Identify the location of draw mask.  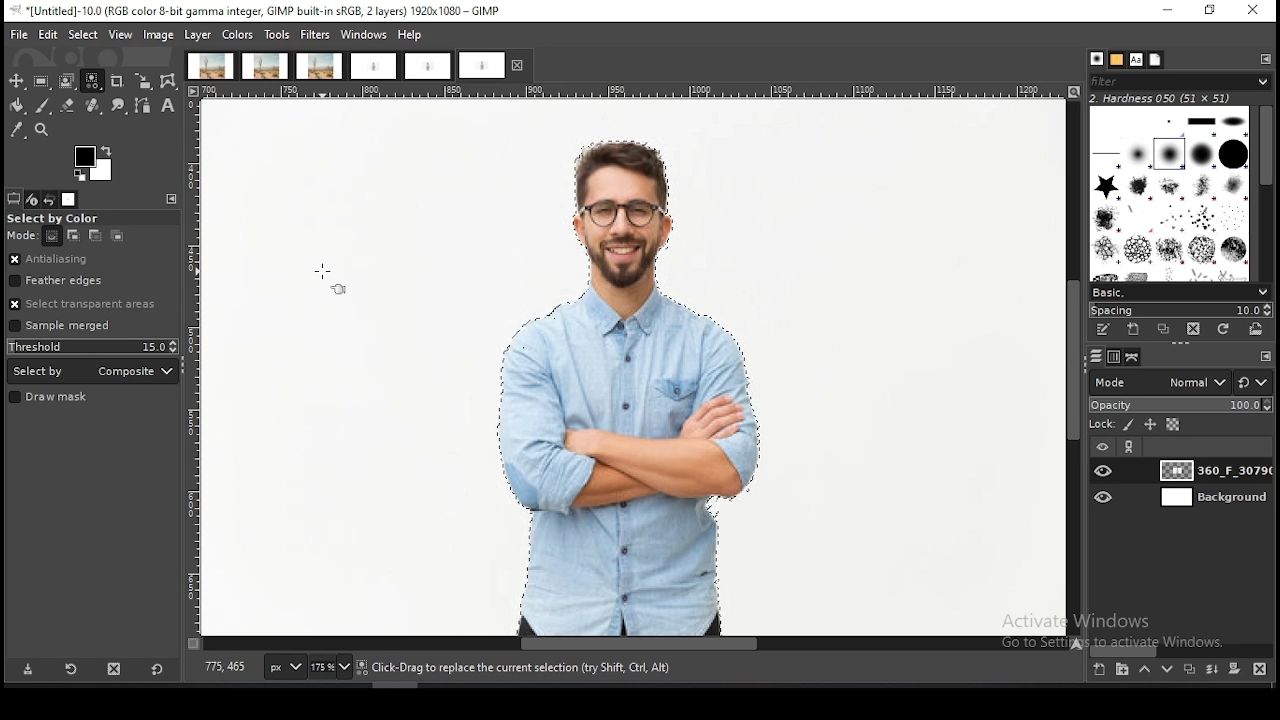
(51, 398).